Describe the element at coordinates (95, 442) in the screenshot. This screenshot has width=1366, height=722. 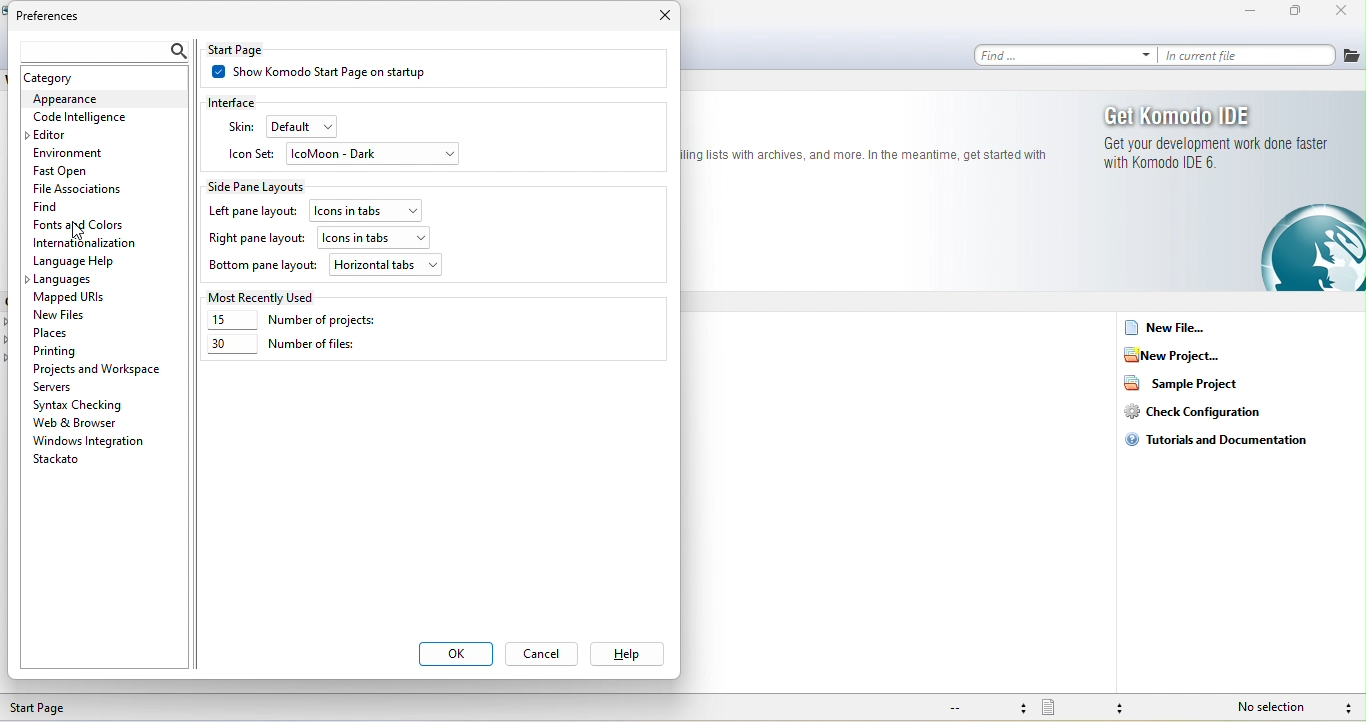
I see `window integration` at that location.